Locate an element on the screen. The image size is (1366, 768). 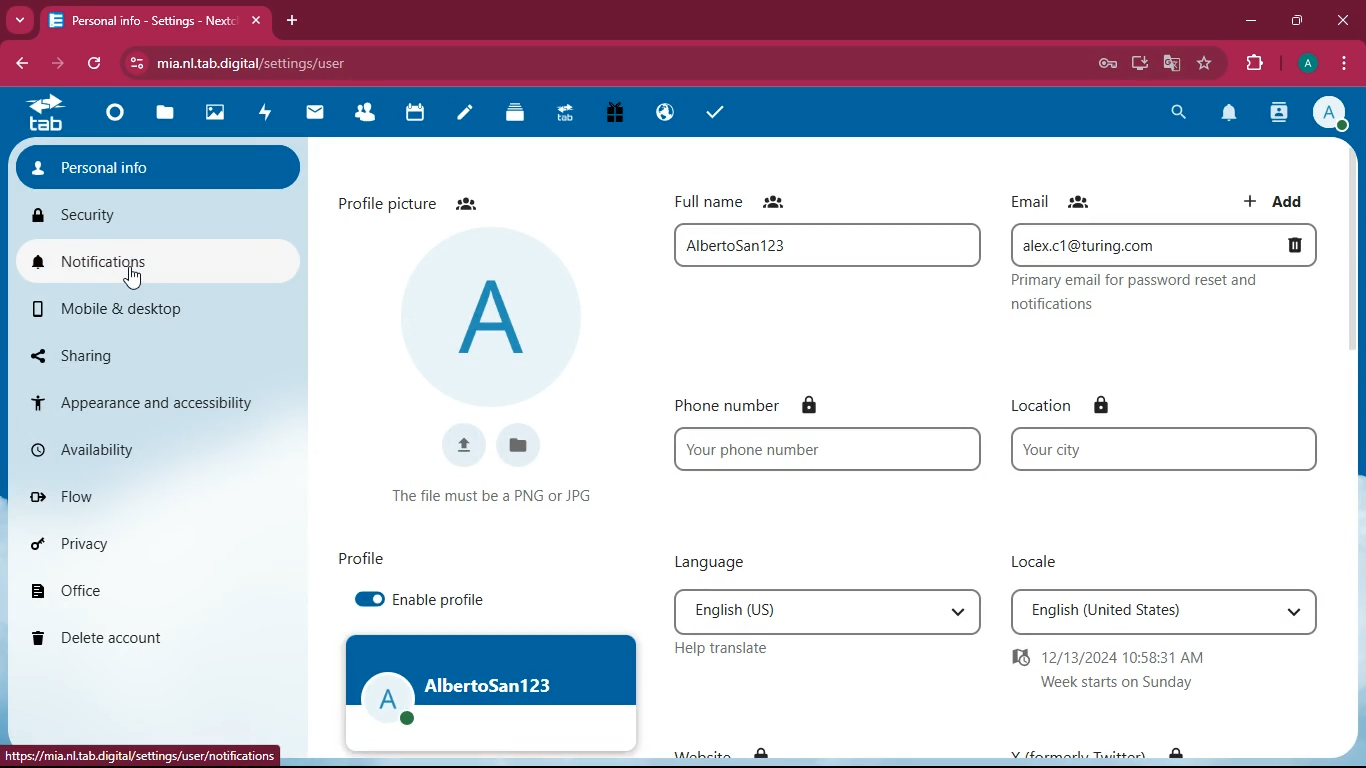
google translate is located at coordinates (1172, 63).